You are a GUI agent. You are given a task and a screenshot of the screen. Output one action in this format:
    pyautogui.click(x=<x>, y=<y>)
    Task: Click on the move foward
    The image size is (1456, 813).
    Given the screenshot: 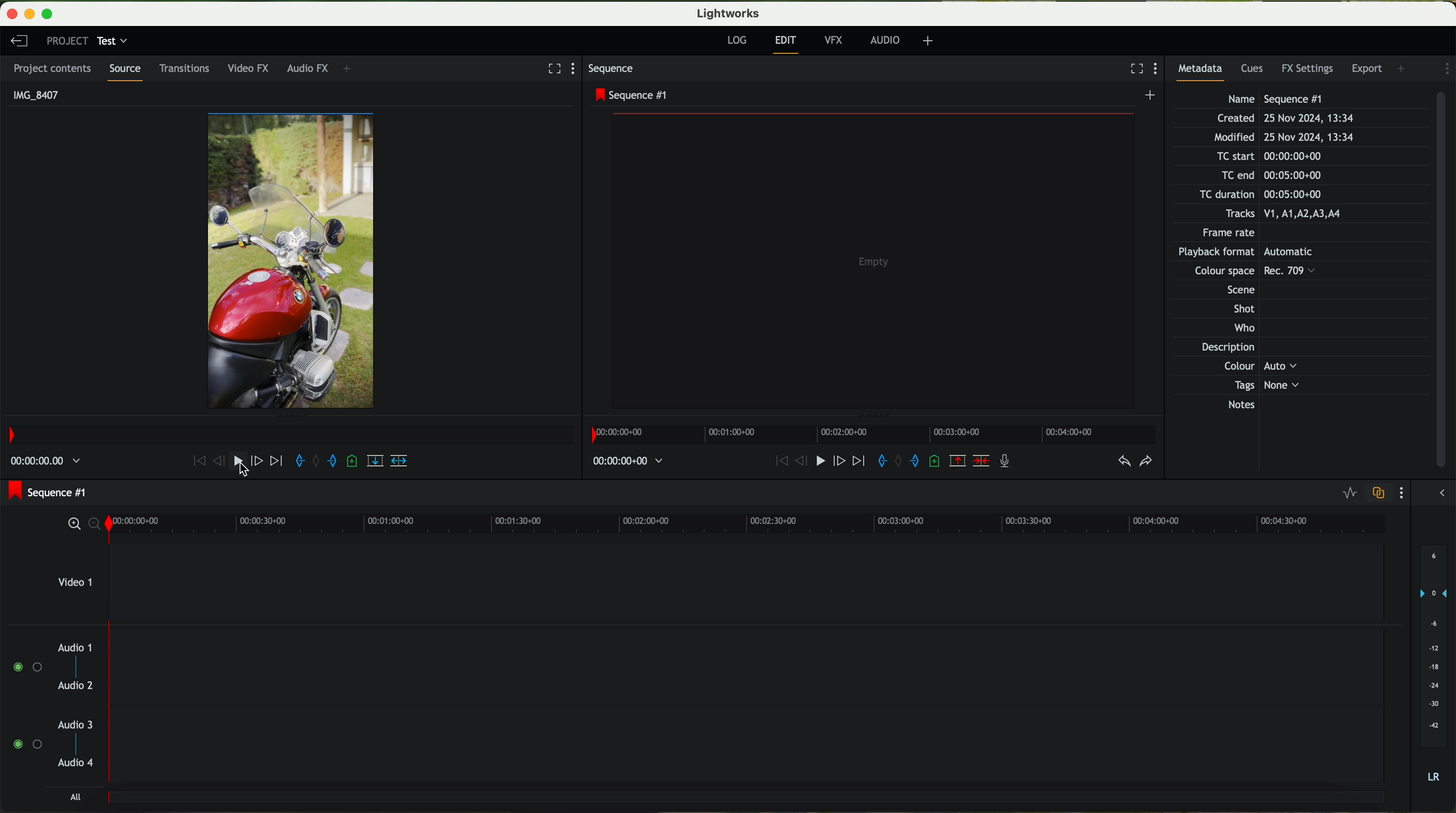 What is the action you would take?
    pyautogui.click(x=276, y=461)
    